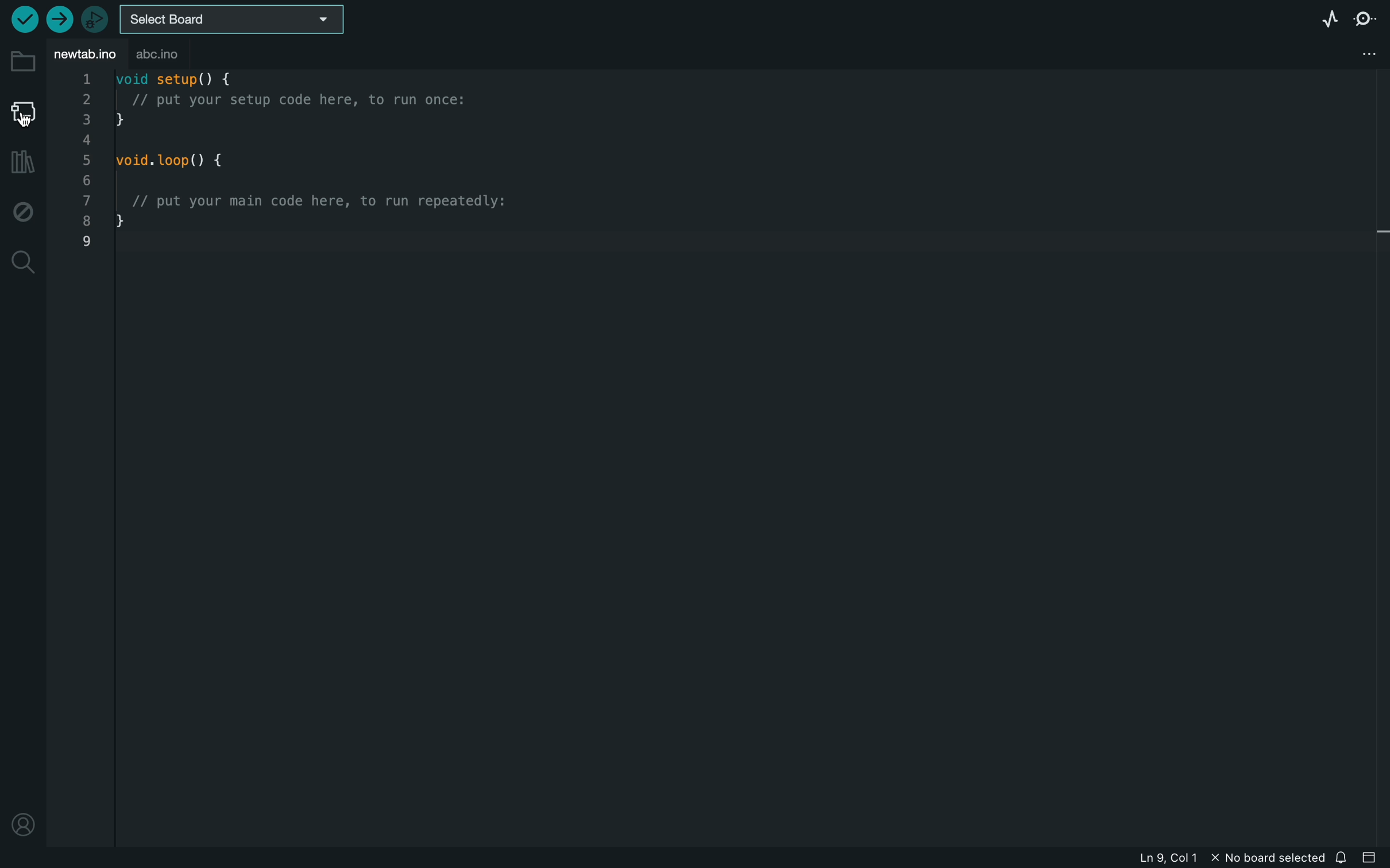 This screenshot has width=1390, height=868. Describe the element at coordinates (20, 113) in the screenshot. I see `board manager` at that location.